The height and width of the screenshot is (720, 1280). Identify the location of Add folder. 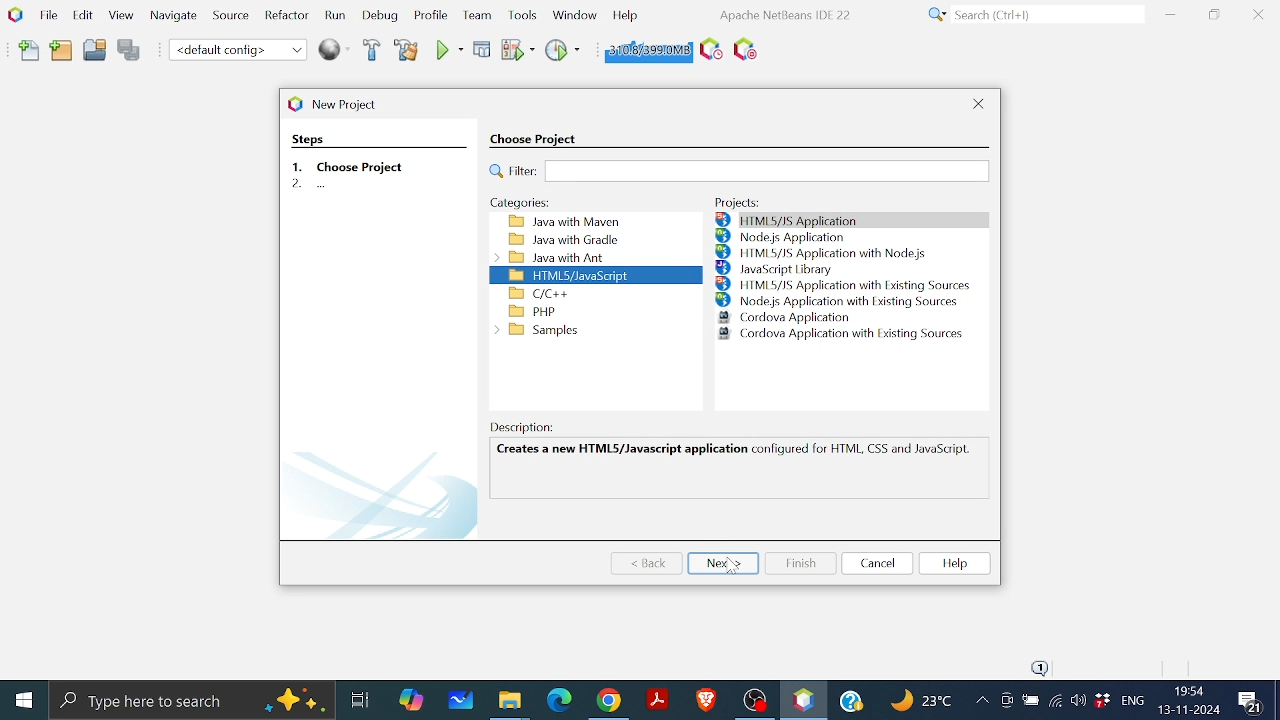
(62, 52).